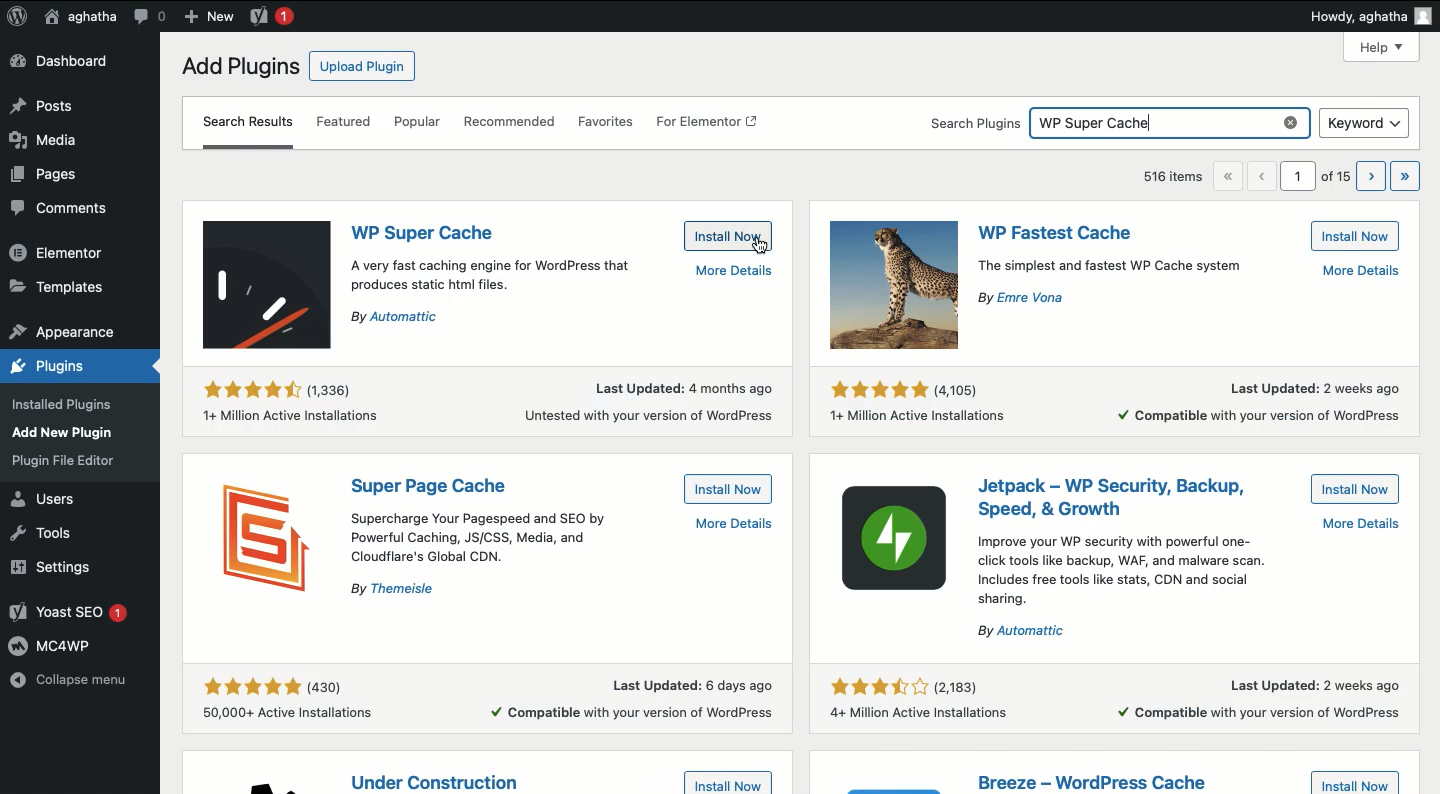 This screenshot has width=1440, height=794. I want to click on Appearance, so click(73, 430).